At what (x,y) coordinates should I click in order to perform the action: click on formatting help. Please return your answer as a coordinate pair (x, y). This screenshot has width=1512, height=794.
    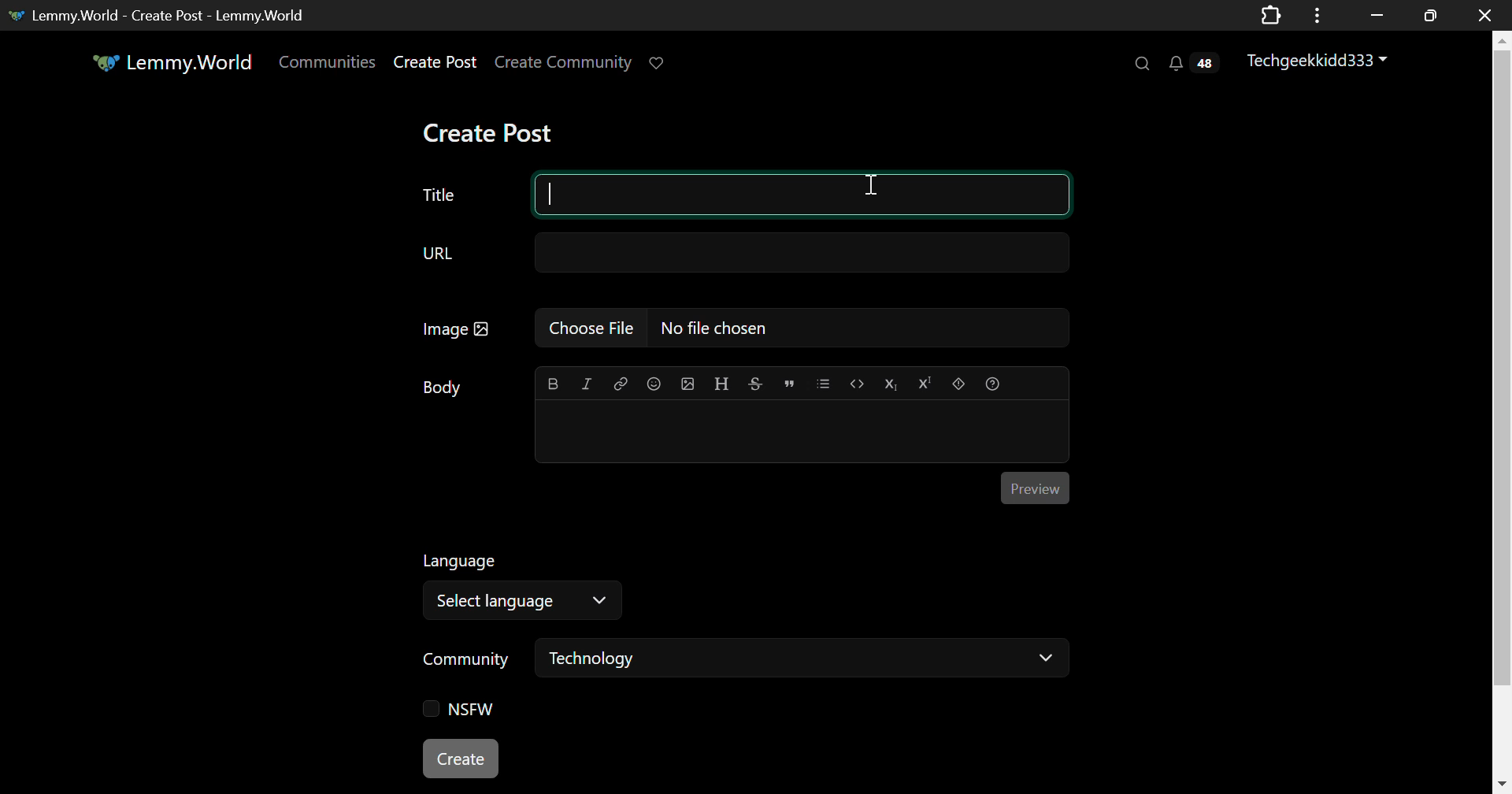
    Looking at the image, I should click on (991, 381).